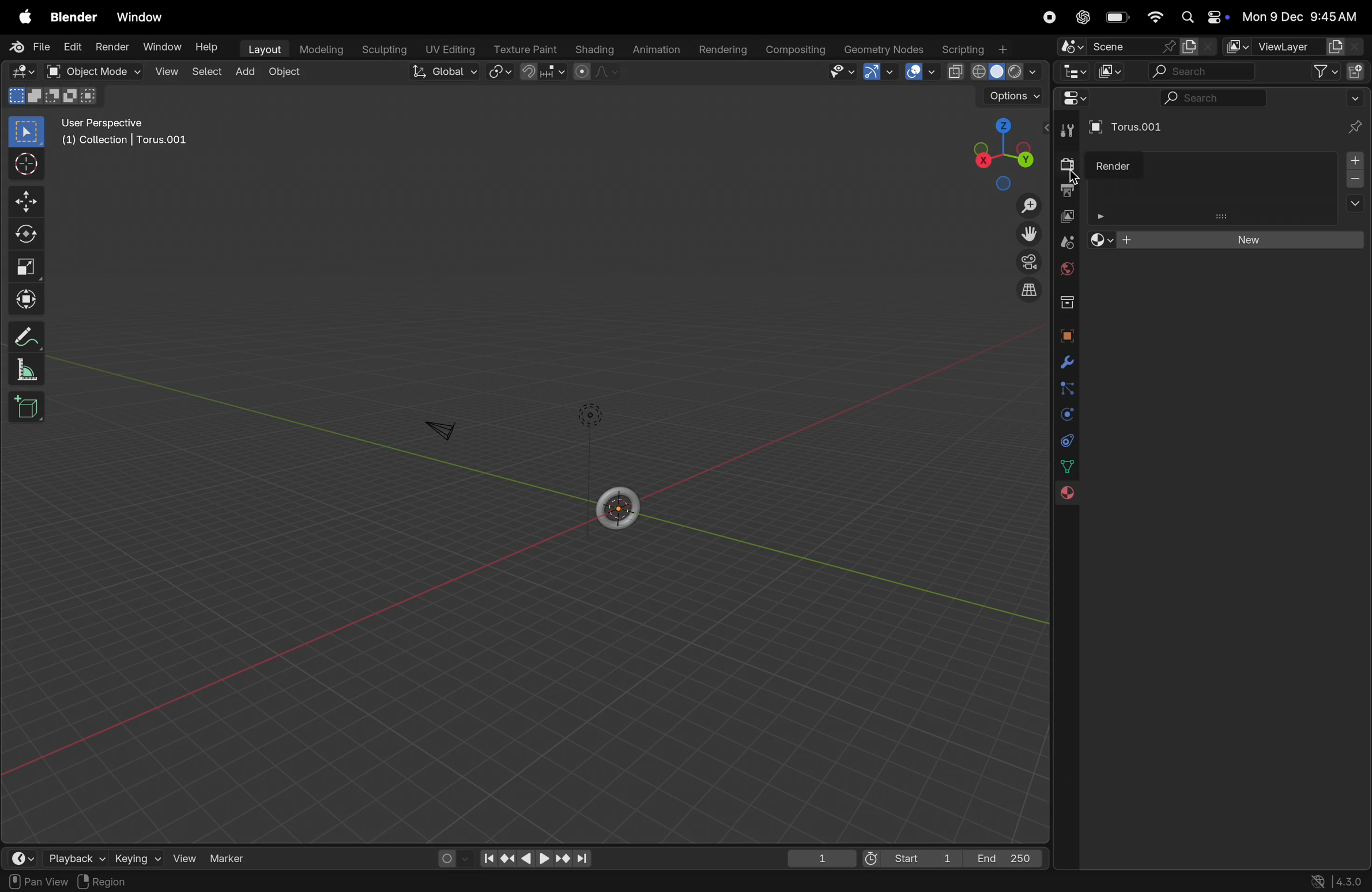 This screenshot has width=1372, height=892. I want to click on render, so click(114, 47).